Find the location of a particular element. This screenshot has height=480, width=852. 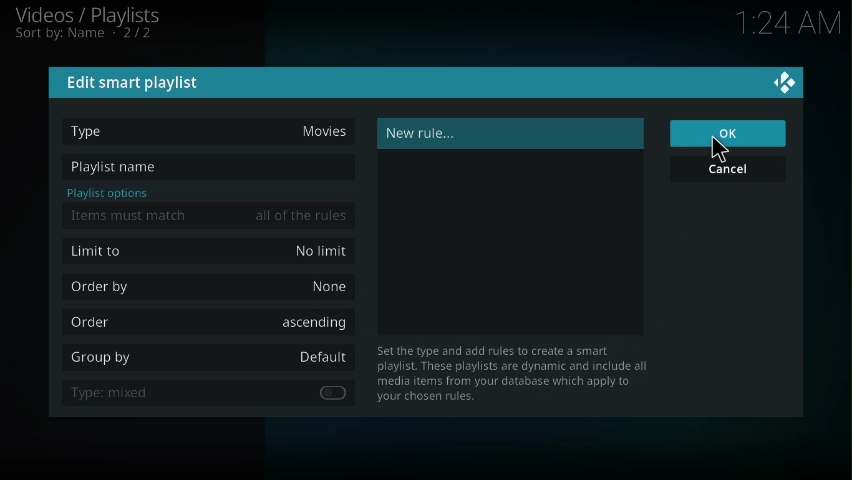

ascending is located at coordinates (316, 323).